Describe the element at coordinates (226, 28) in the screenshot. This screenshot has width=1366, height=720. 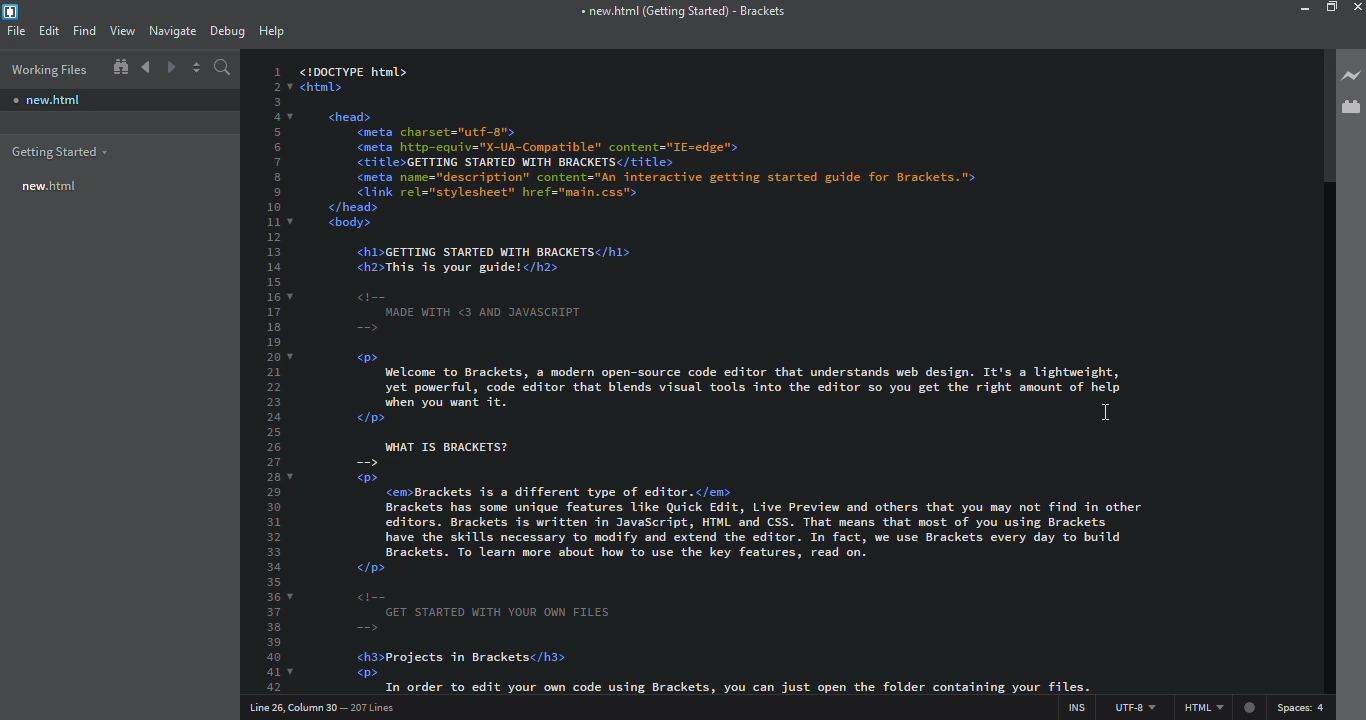
I see `debug` at that location.